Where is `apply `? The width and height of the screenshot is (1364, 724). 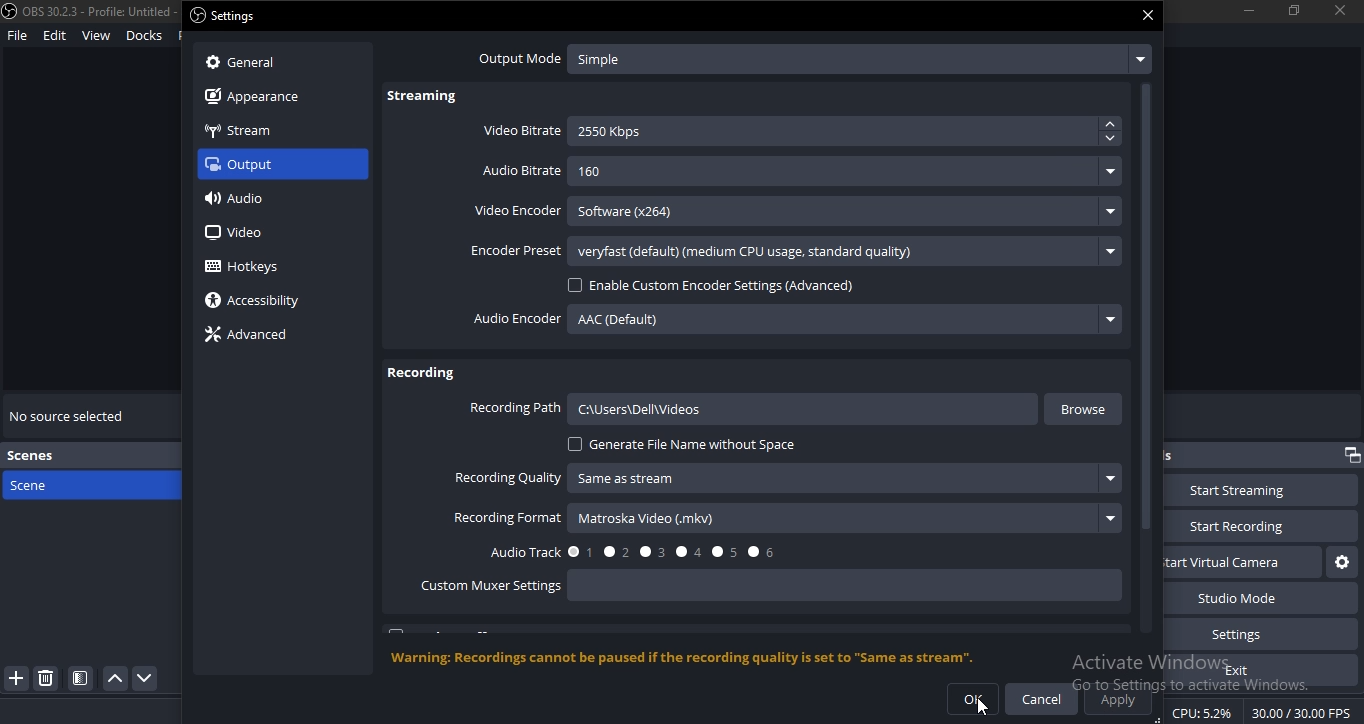 apply  is located at coordinates (1119, 699).